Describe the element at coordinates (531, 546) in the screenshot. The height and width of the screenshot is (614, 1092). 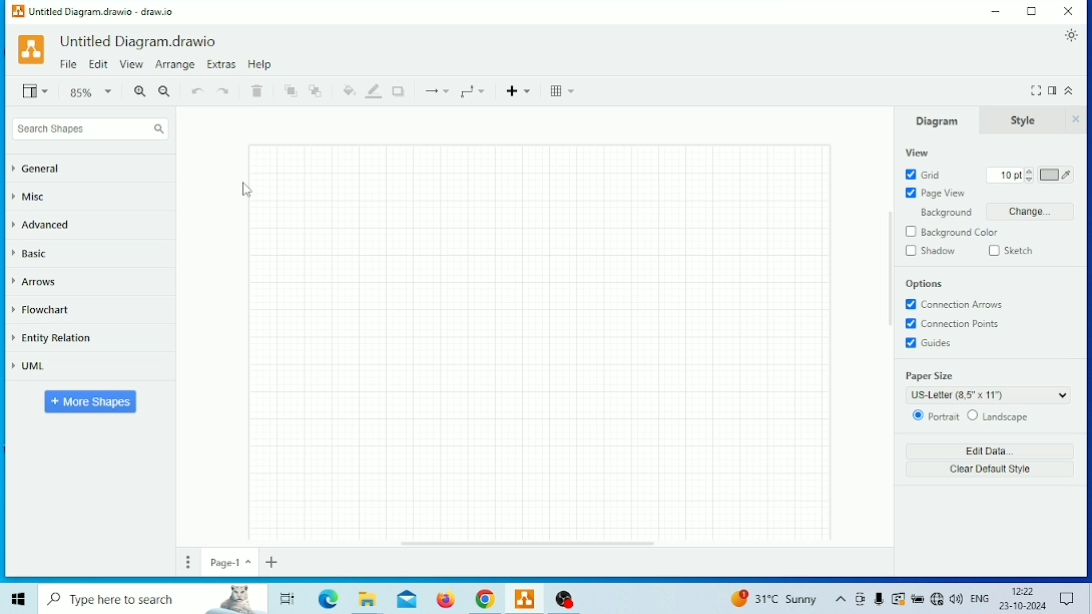
I see `Horizontal scrollbar` at that location.